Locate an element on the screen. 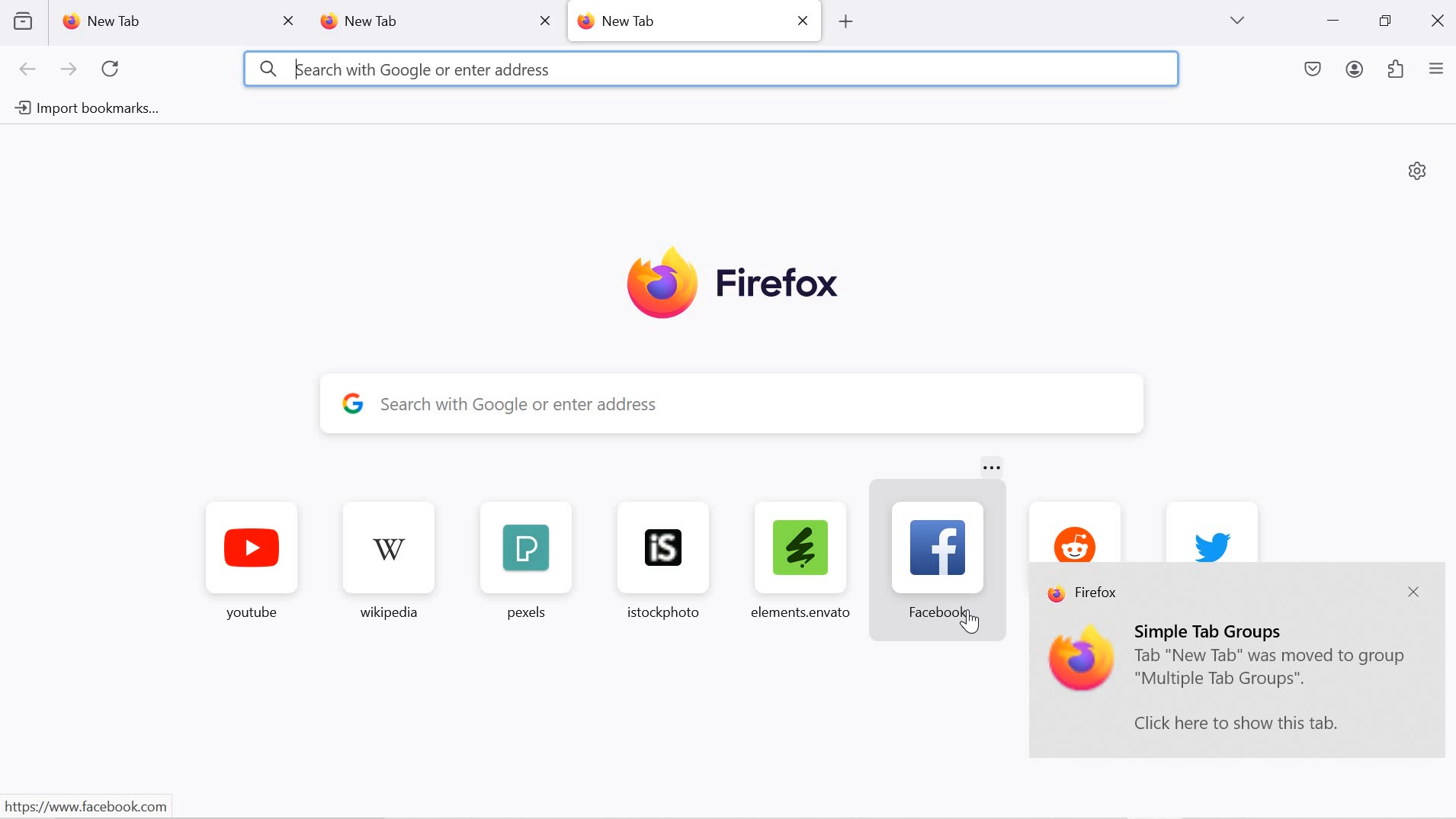  facebook favorite is located at coordinates (943, 560).